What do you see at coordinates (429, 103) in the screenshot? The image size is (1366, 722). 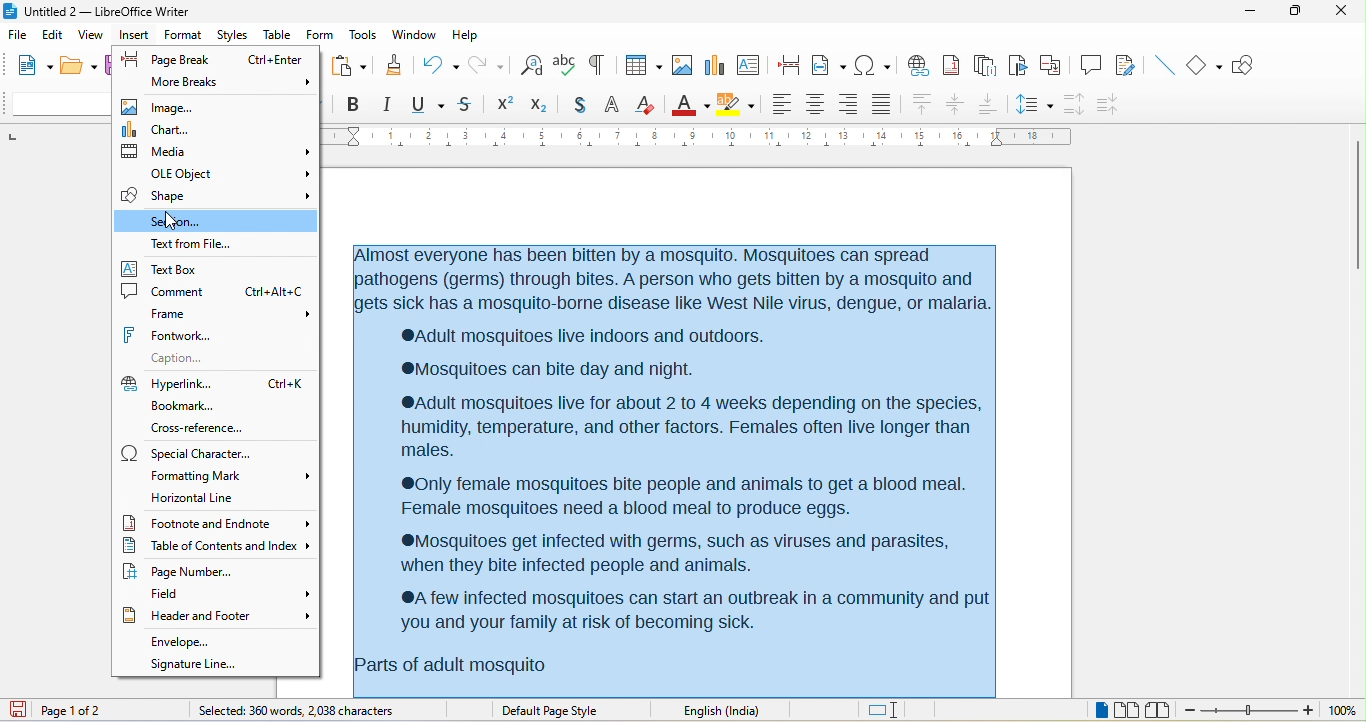 I see `underline` at bounding box center [429, 103].